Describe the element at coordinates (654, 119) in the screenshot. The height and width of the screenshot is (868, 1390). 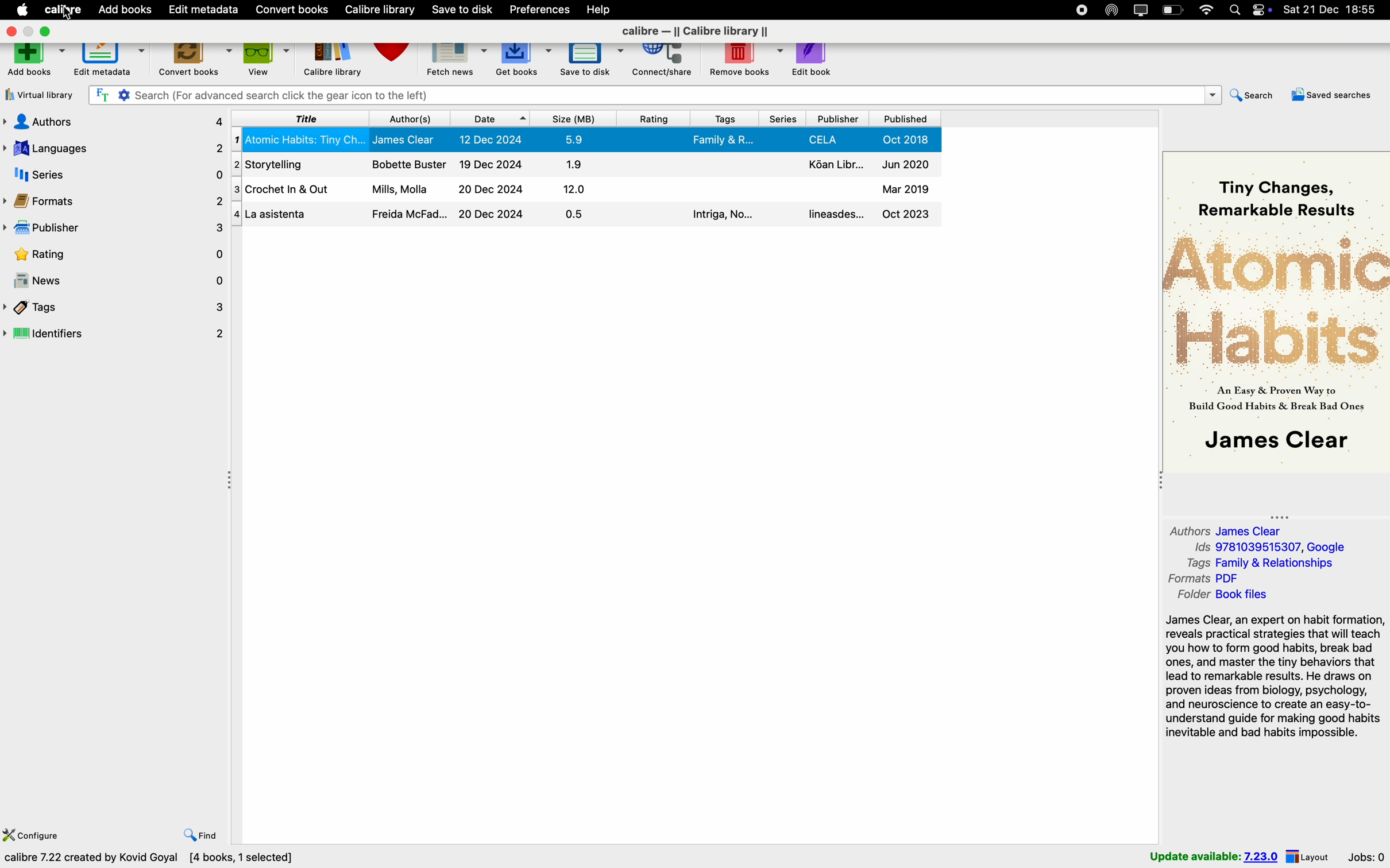
I see `rating` at that location.